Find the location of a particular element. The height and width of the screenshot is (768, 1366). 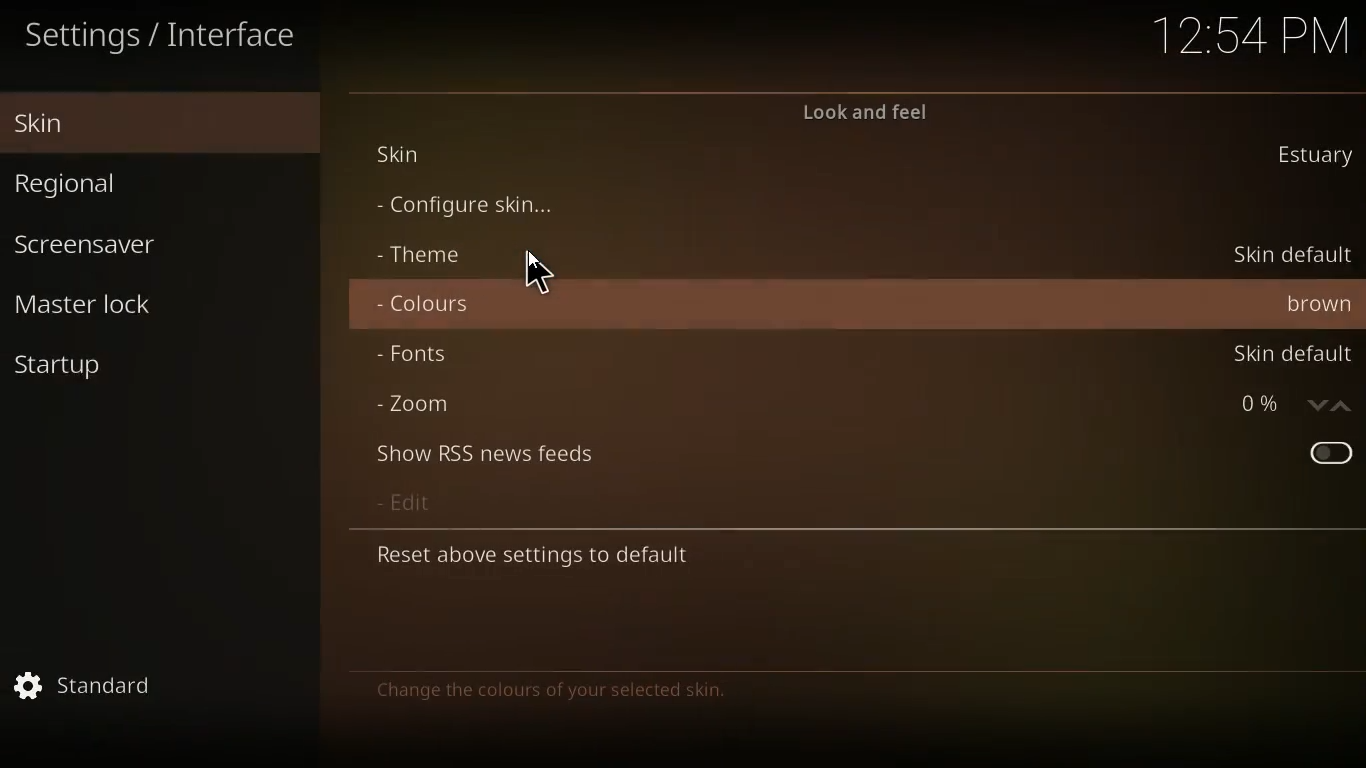

- Zoom is located at coordinates (411, 405).